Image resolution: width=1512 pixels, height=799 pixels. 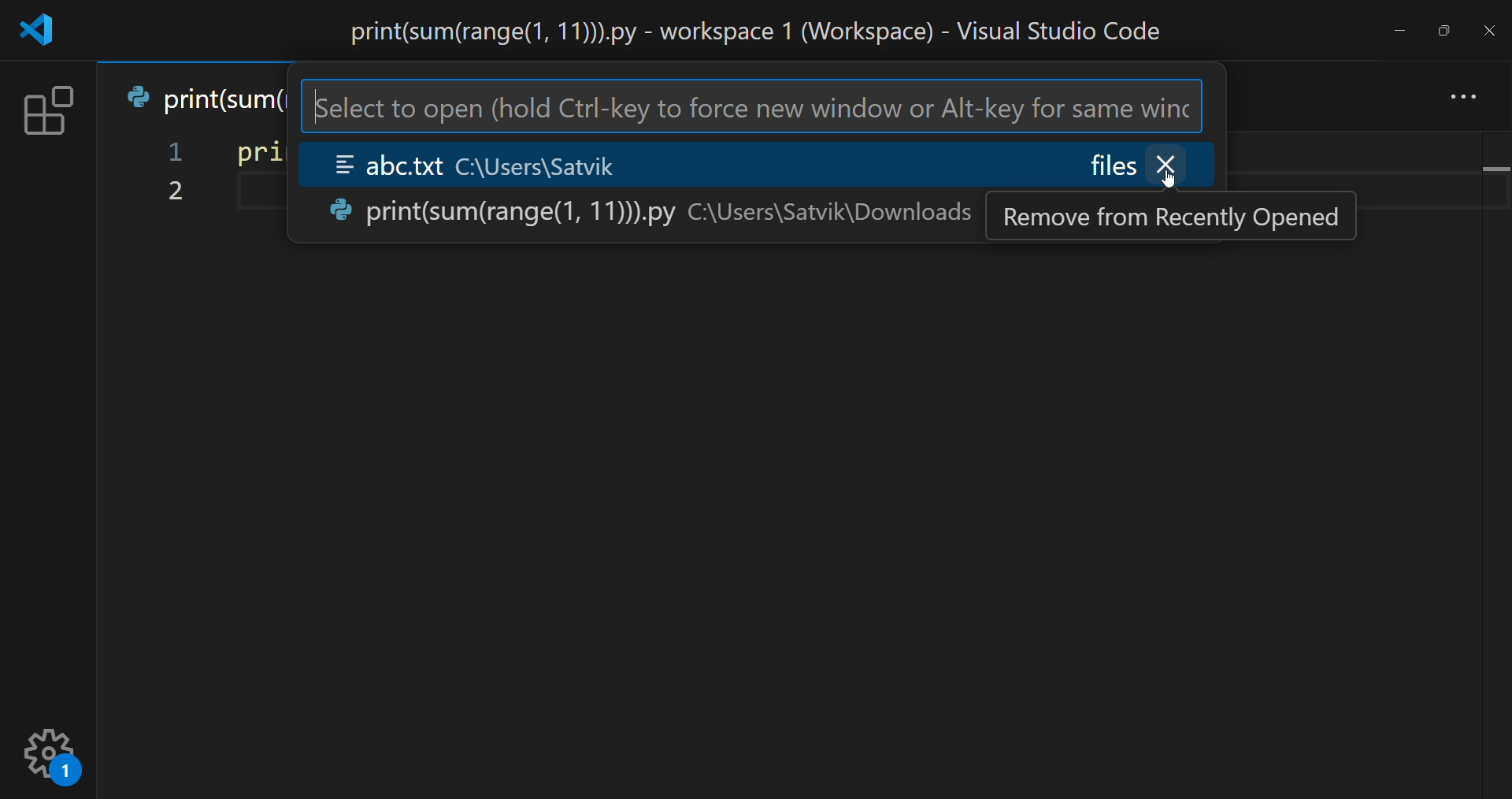 What do you see at coordinates (253, 152) in the screenshot?
I see `code` at bounding box center [253, 152].